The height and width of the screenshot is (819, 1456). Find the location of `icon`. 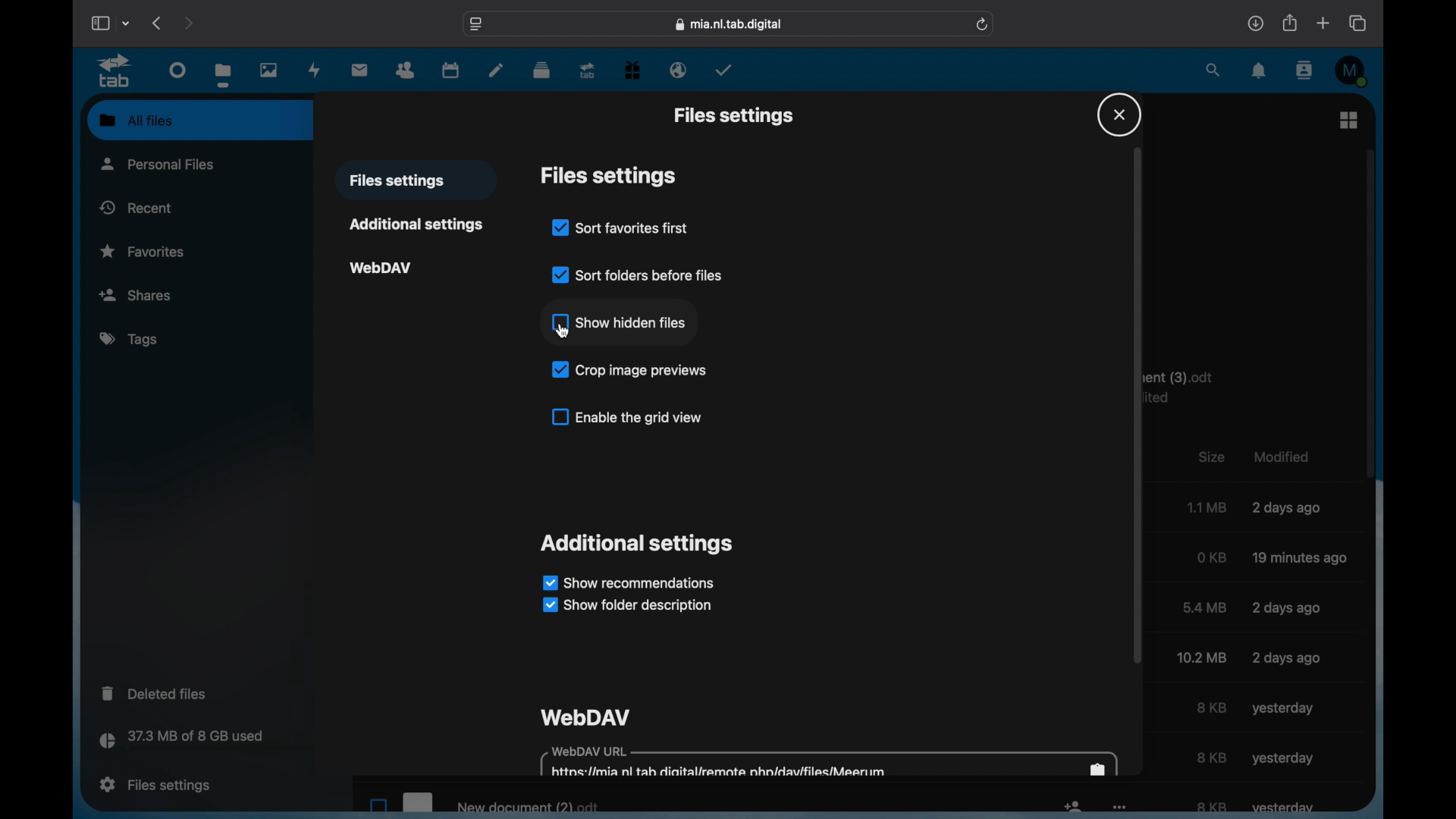

icon is located at coordinates (1076, 808).